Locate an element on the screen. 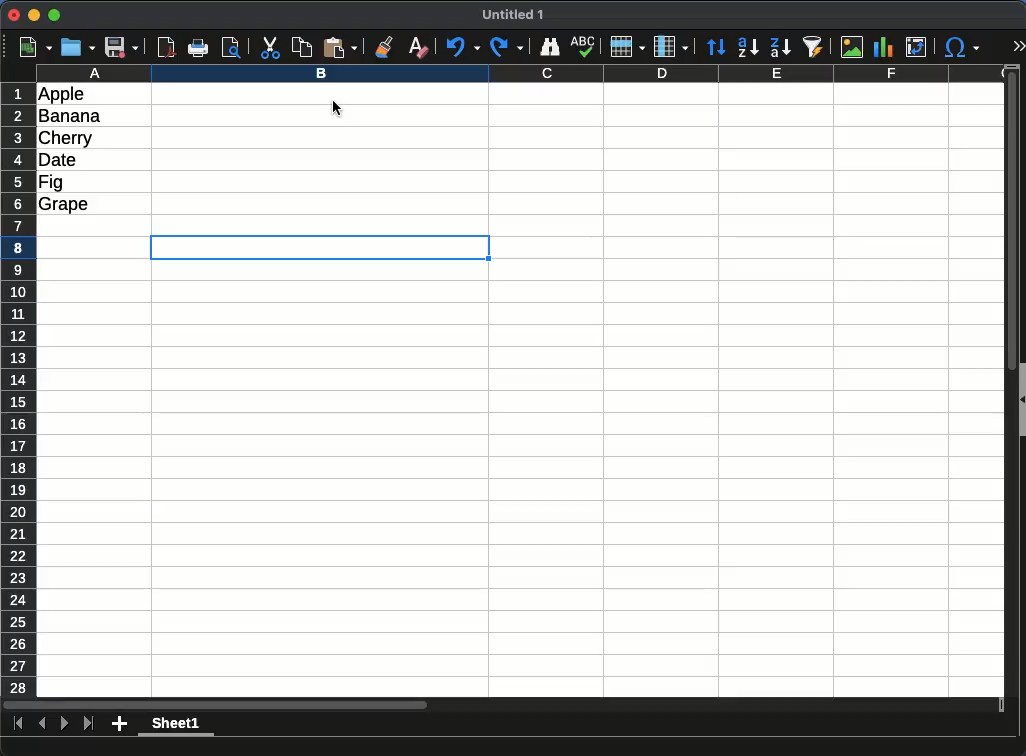  sheet1 is located at coordinates (176, 725).